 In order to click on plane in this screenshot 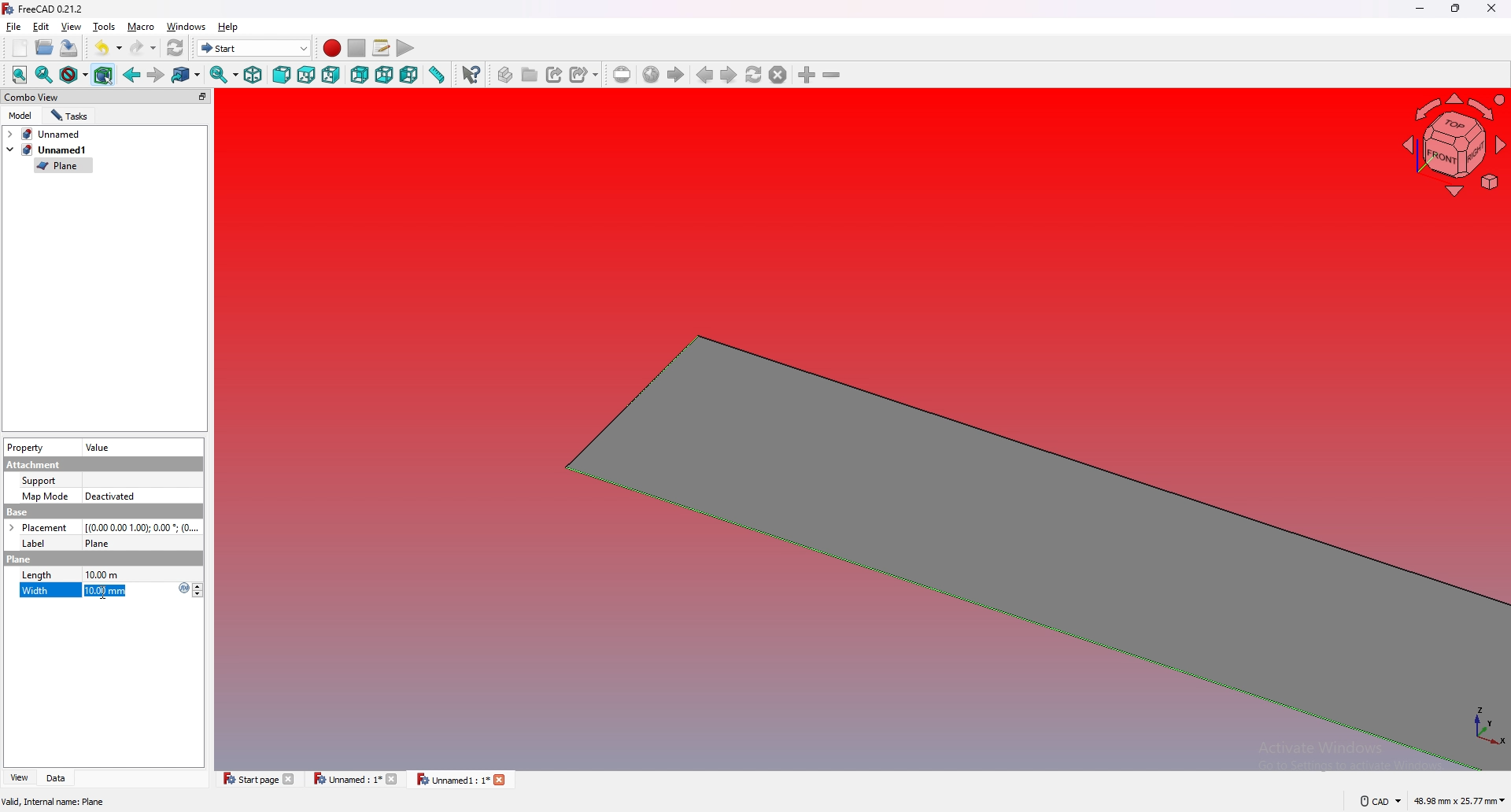, I will do `click(1016, 509)`.